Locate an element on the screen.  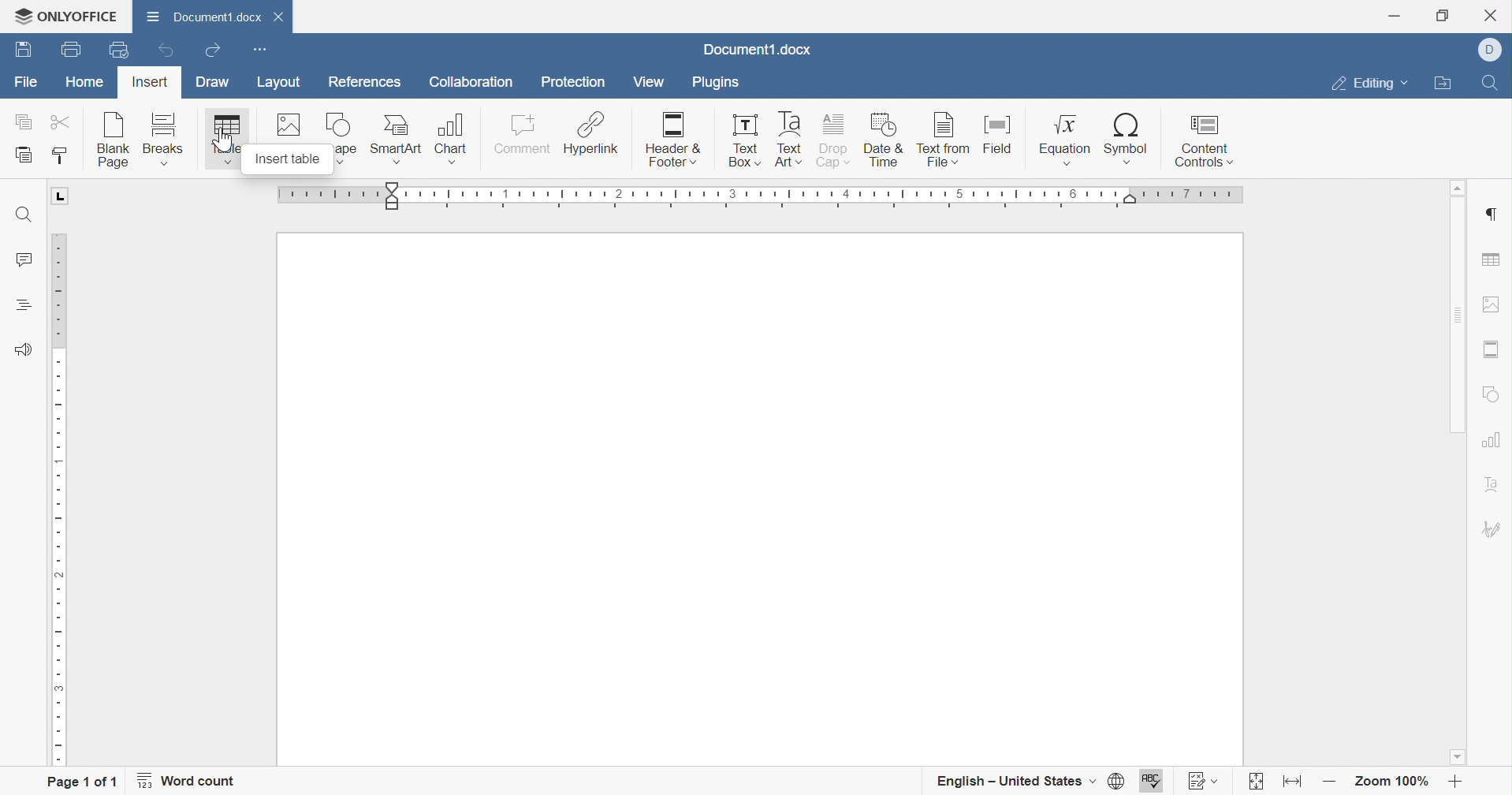
Word count is located at coordinates (191, 780).